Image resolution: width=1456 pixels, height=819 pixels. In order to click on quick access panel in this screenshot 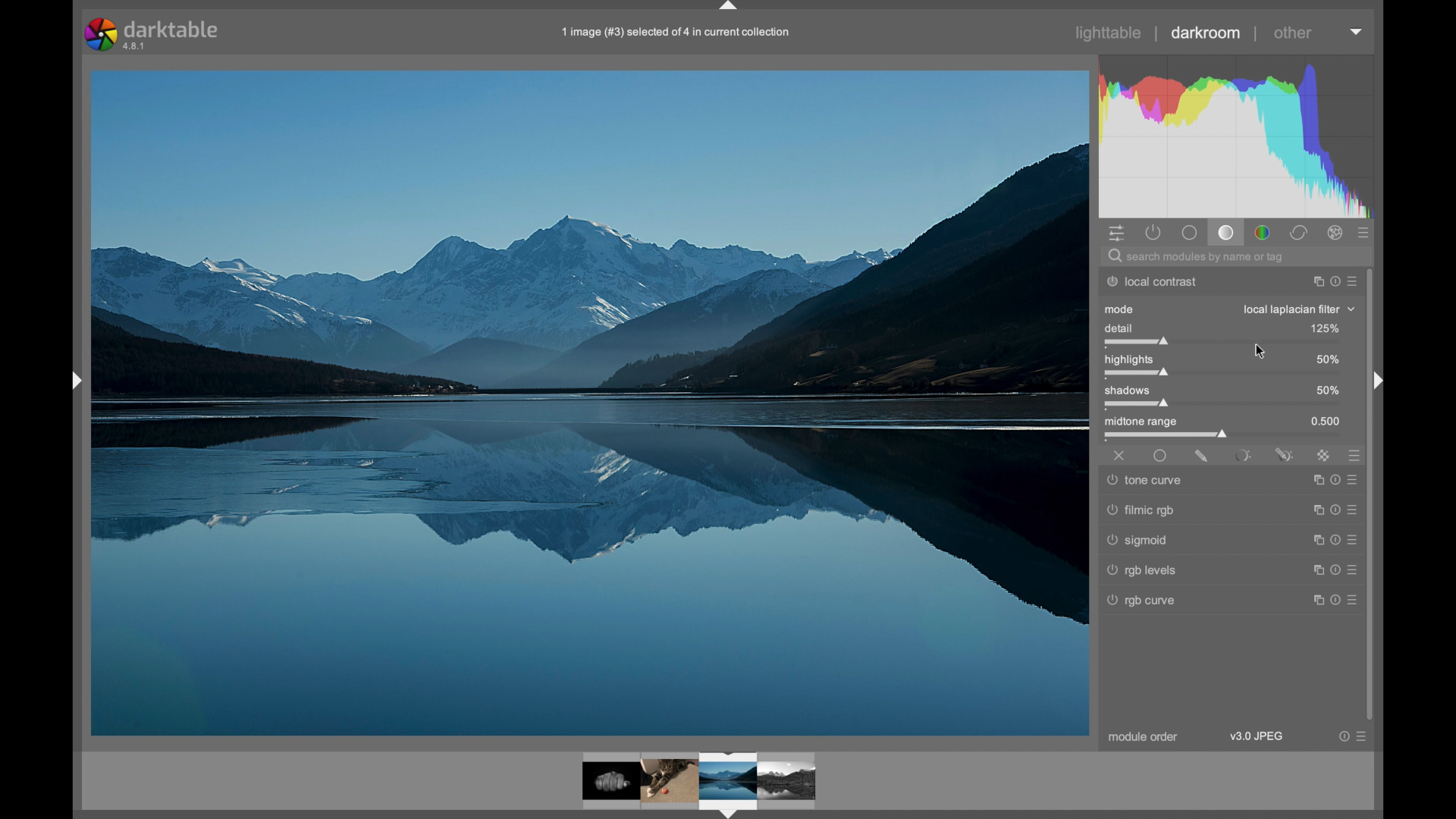, I will do `click(1118, 234)`.